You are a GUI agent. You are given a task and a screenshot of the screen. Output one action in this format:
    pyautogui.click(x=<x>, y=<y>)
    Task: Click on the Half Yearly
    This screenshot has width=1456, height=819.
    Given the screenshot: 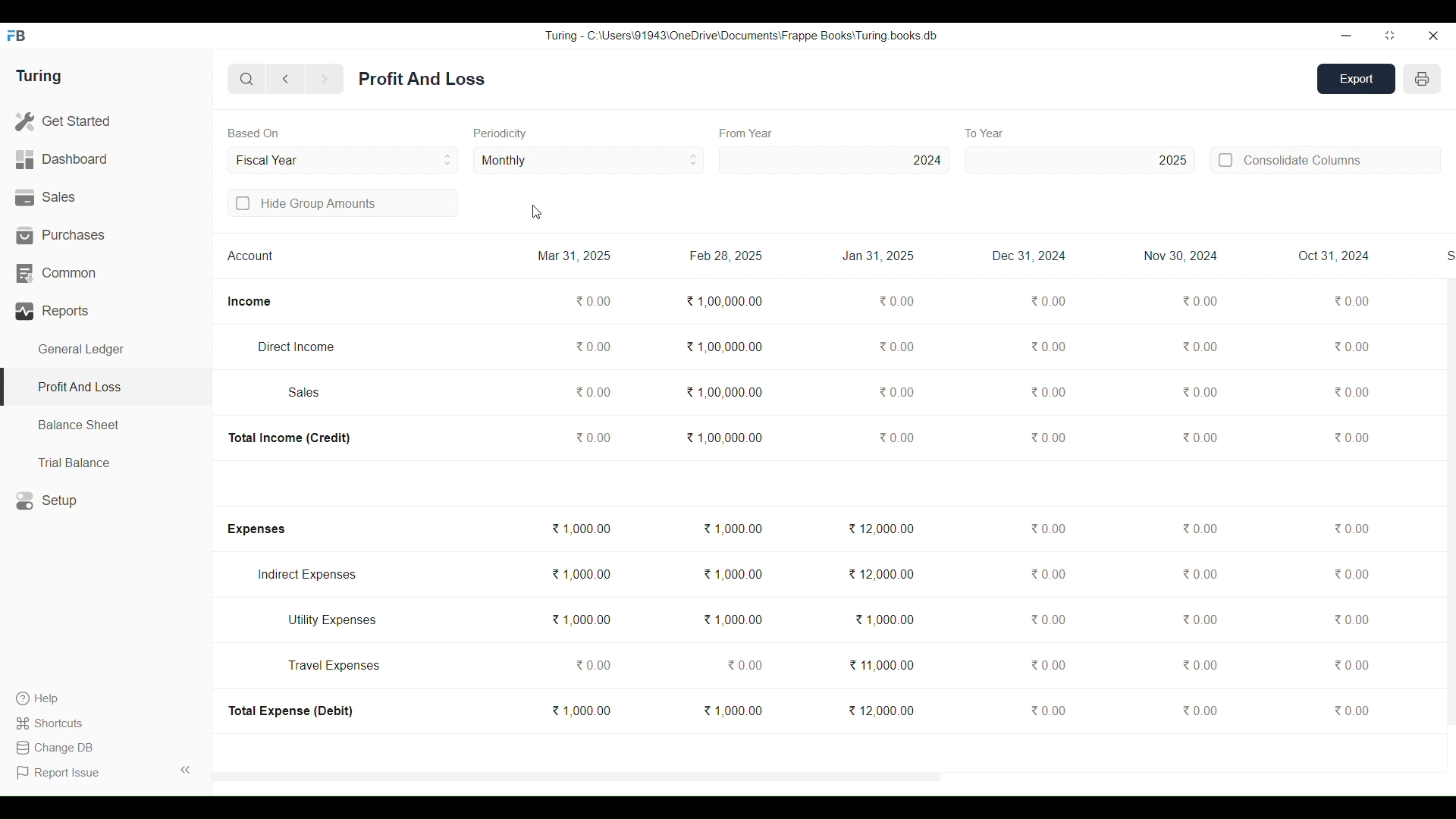 What is the action you would take?
    pyautogui.click(x=588, y=159)
    